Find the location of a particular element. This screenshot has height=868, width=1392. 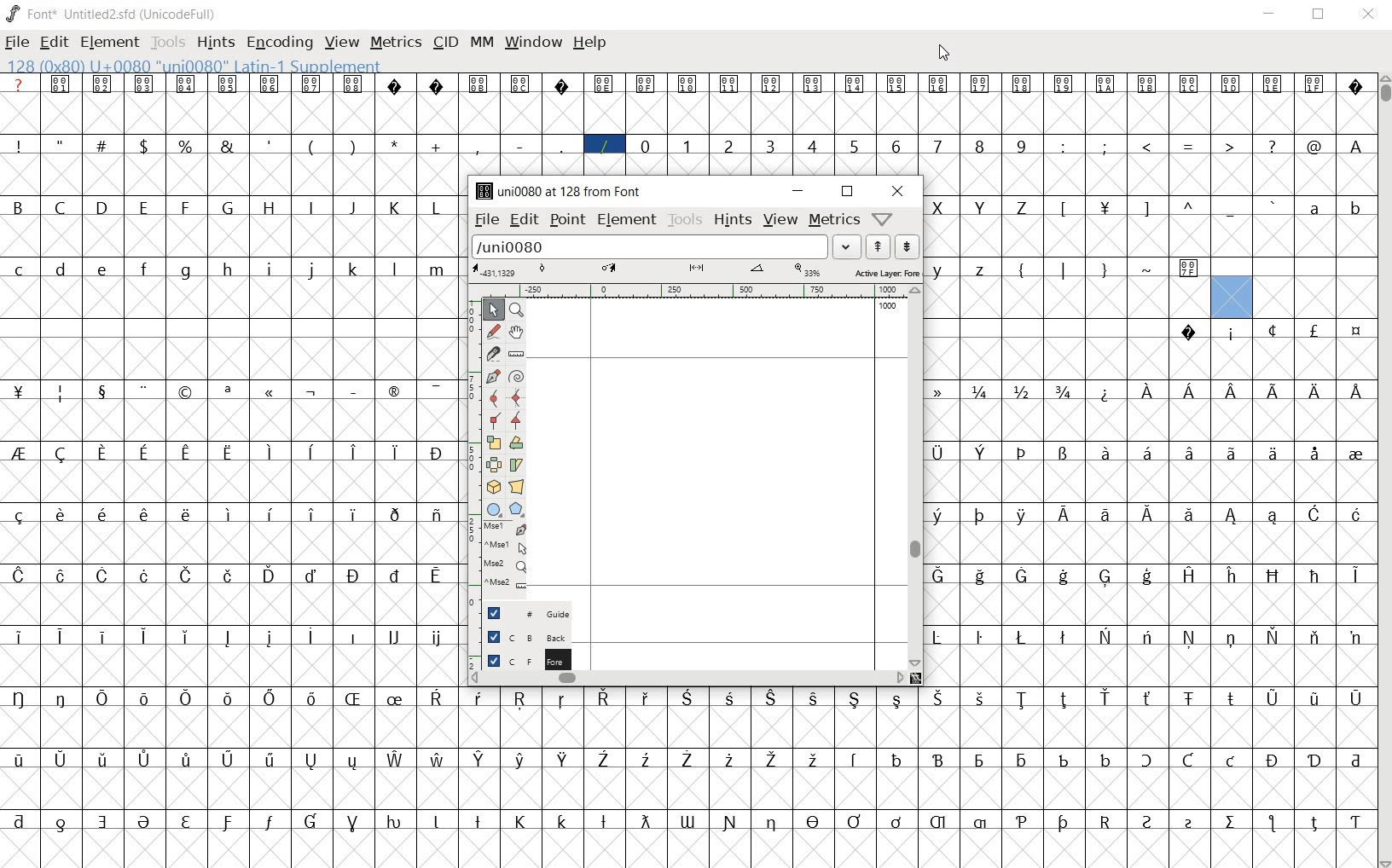

glyph is located at coordinates (1274, 205).